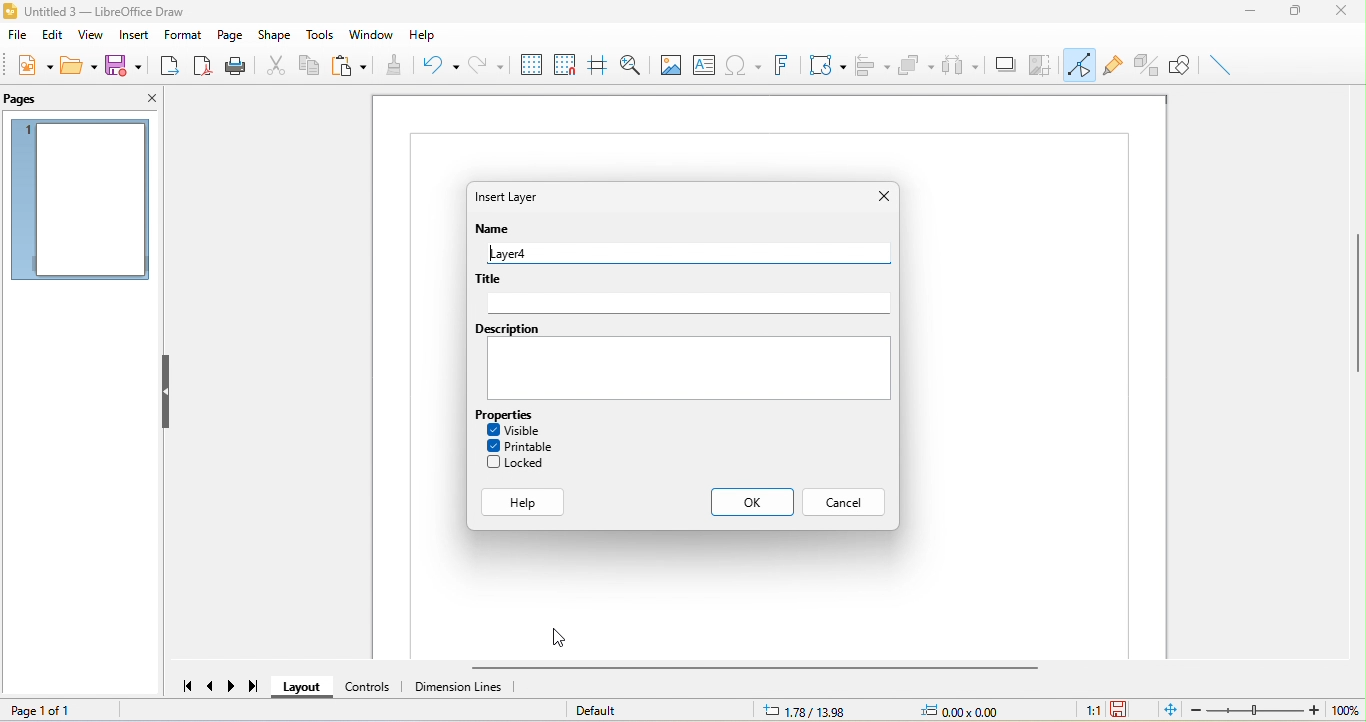 Image resolution: width=1366 pixels, height=722 pixels. Describe the element at coordinates (1224, 65) in the screenshot. I see `insert line` at that location.